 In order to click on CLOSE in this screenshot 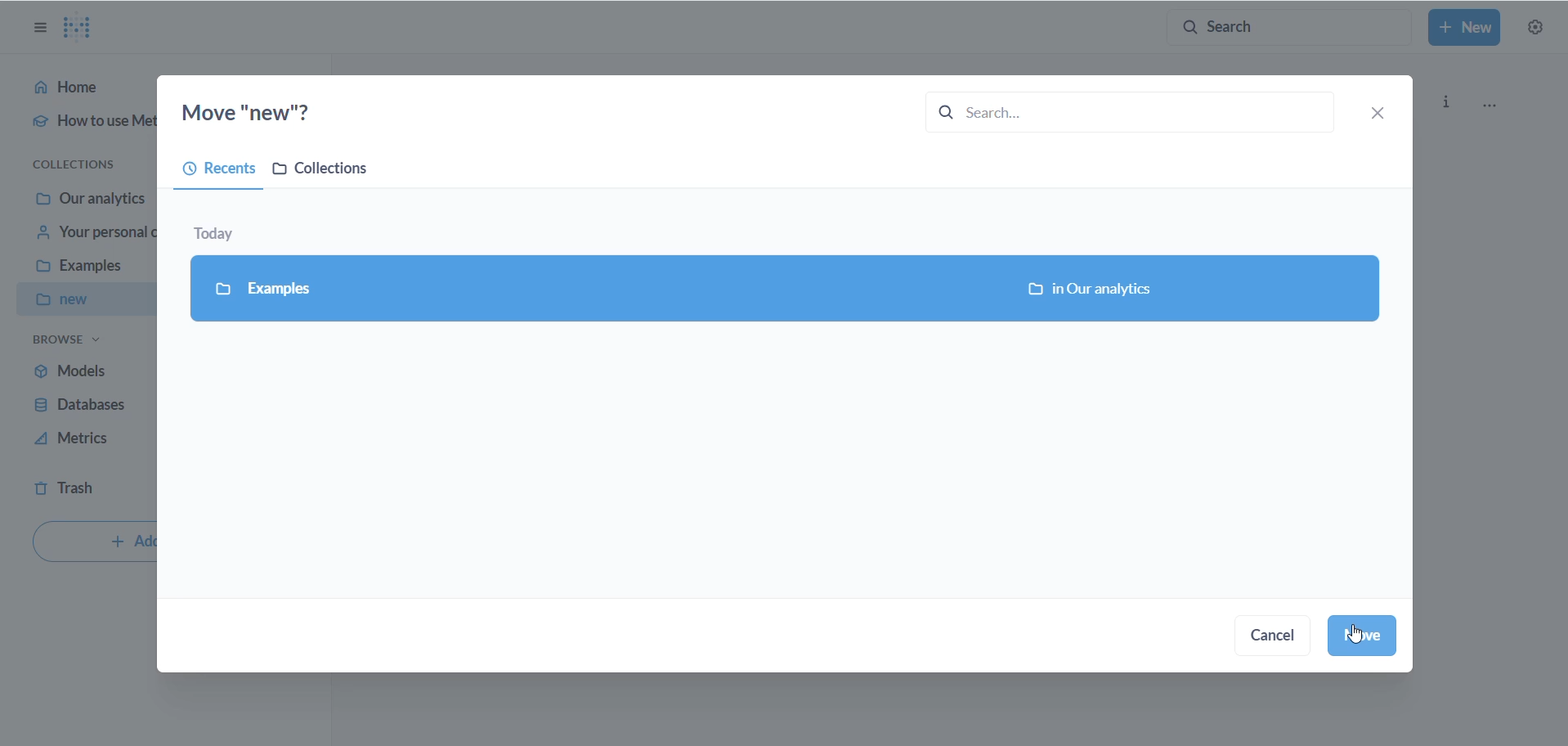, I will do `click(1382, 112)`.